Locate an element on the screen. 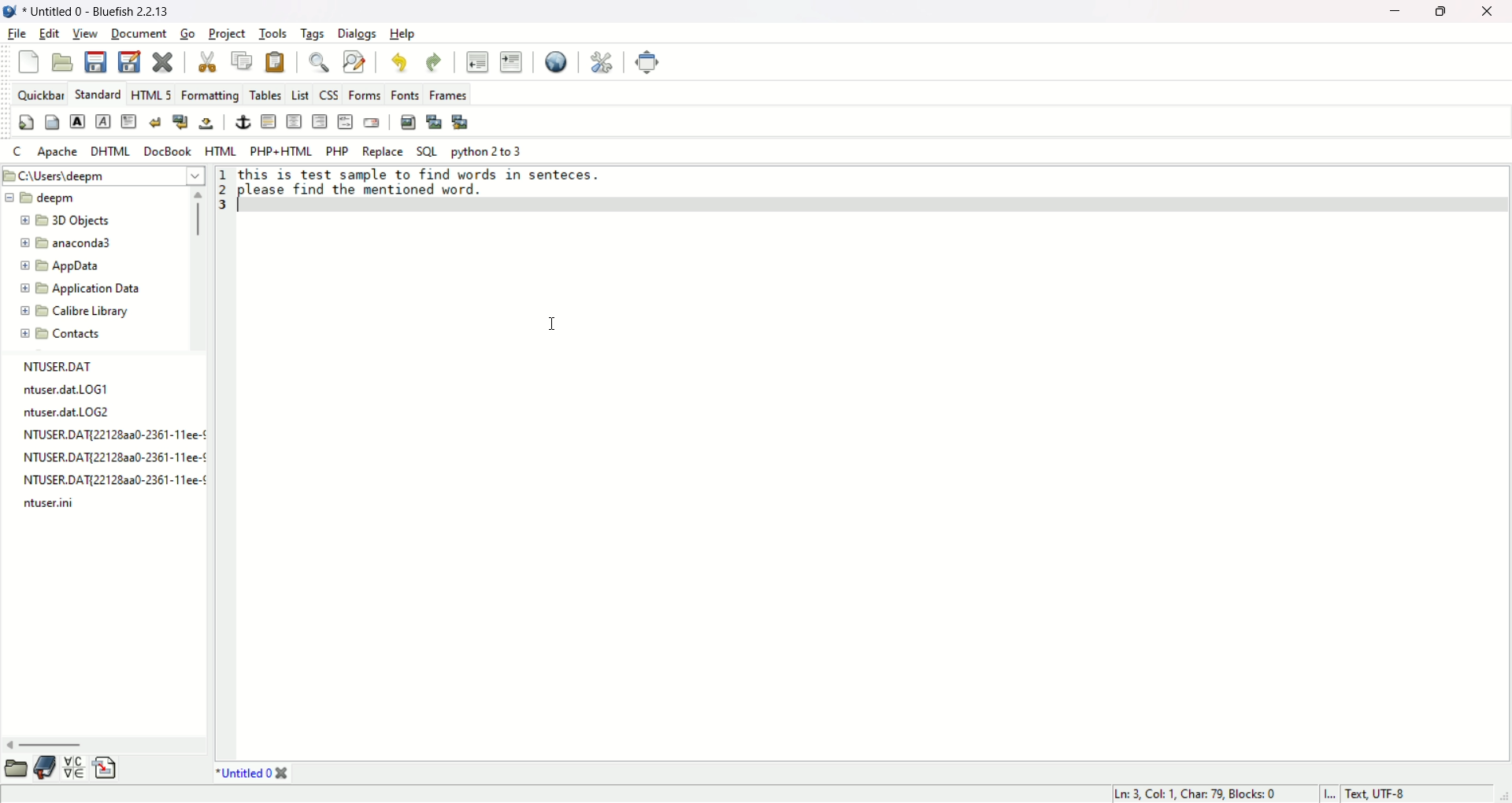 The image size is (1512, 803). documentation is located at coordinates (44, 768).